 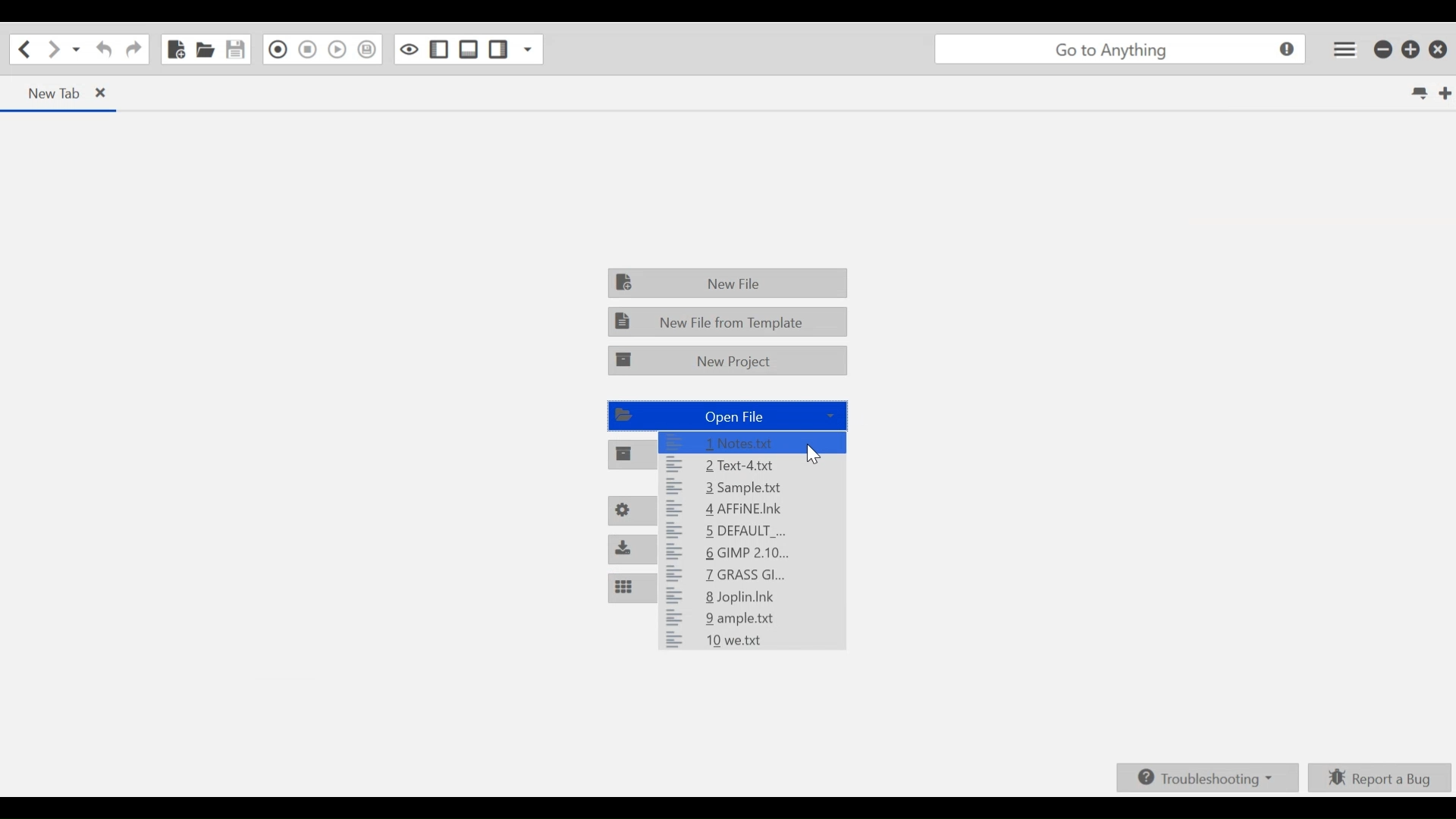 I want to click on Redo the last action, so click(x=104, y=50).